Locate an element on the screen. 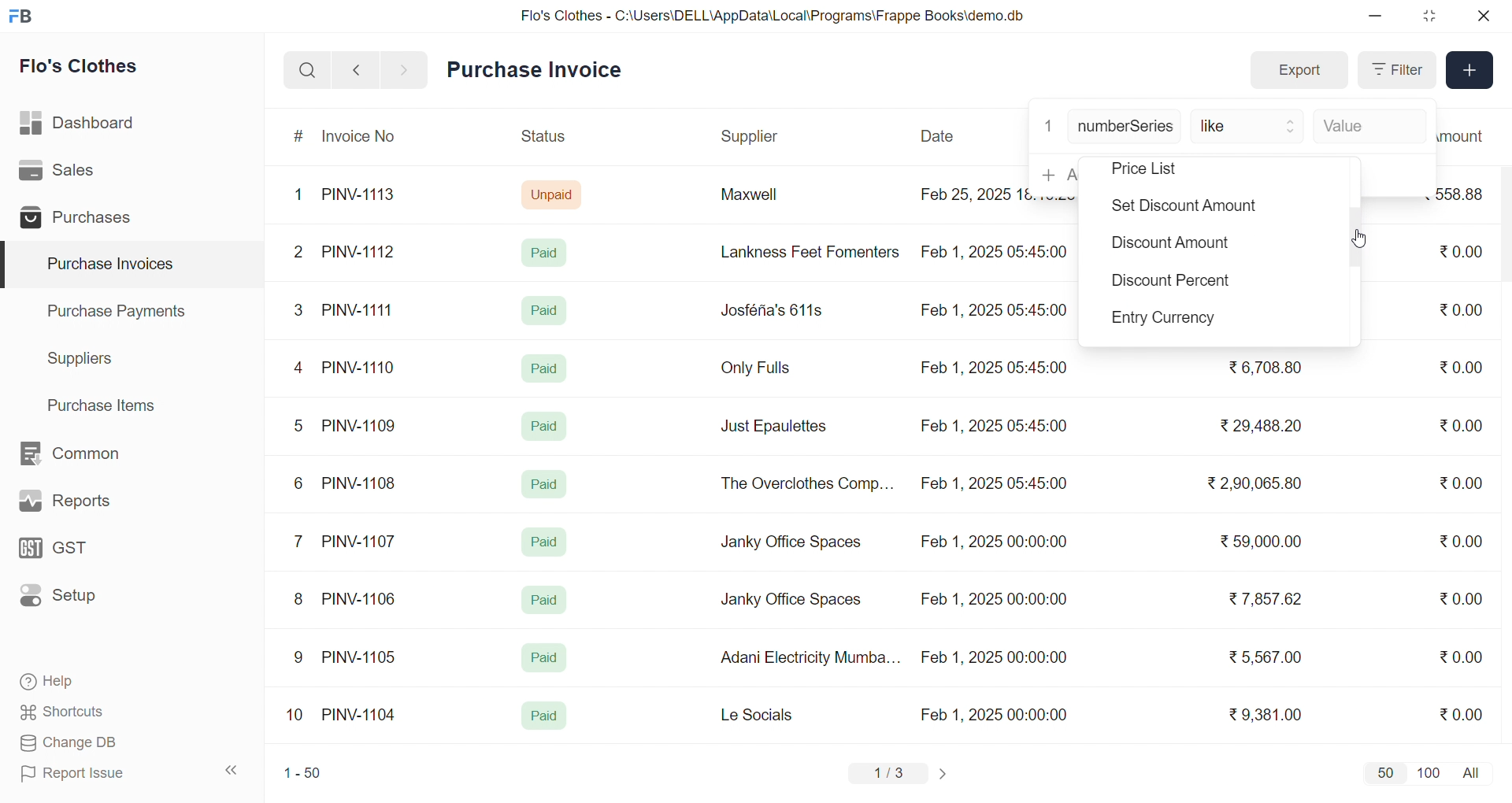 Image resolution: width=1512 pixels, height=803 pixels. numberSeries is located at coordinates (1125, 128).